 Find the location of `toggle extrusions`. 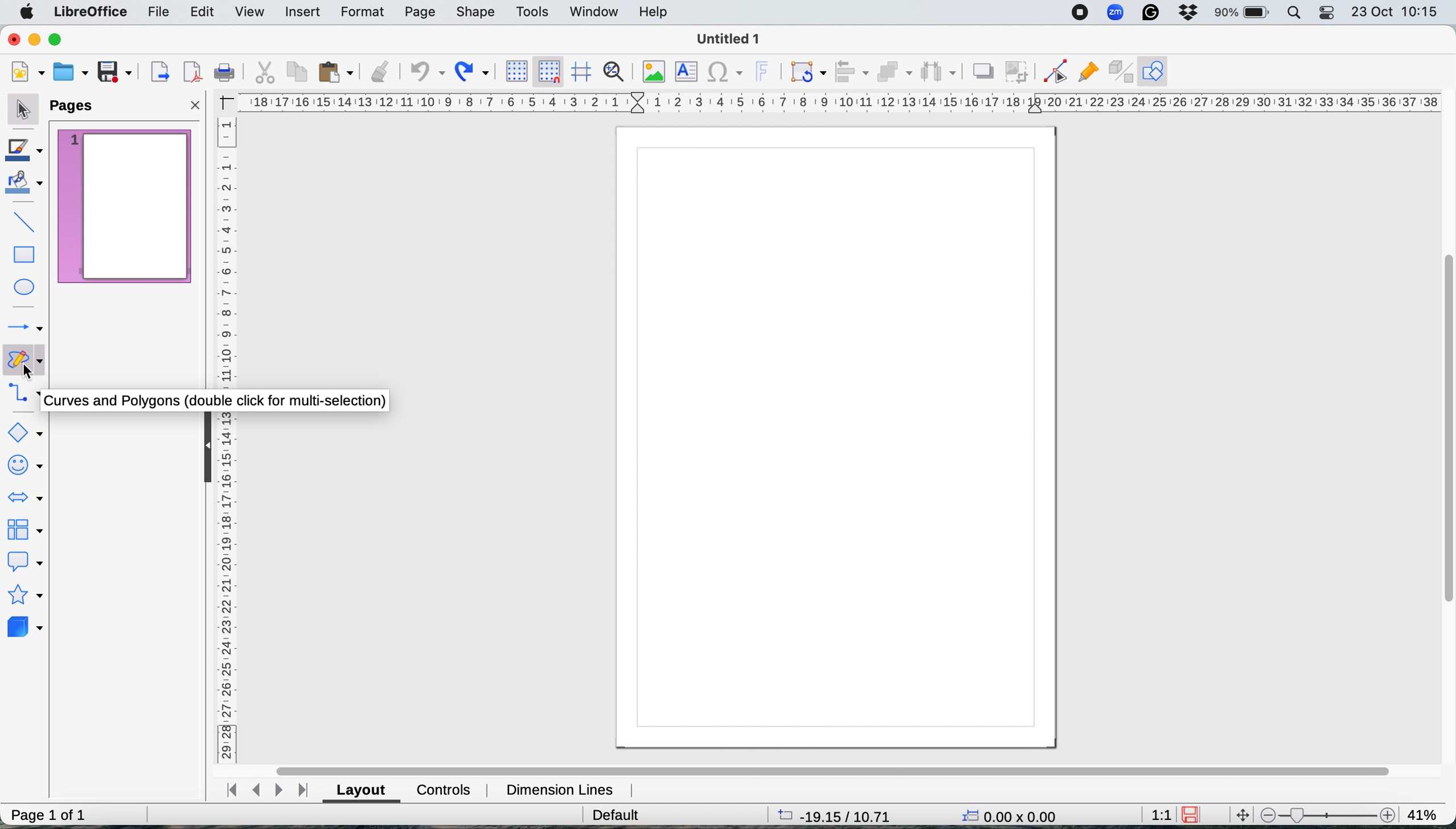

toggle extrusions is located at coordinates (1119, 71).